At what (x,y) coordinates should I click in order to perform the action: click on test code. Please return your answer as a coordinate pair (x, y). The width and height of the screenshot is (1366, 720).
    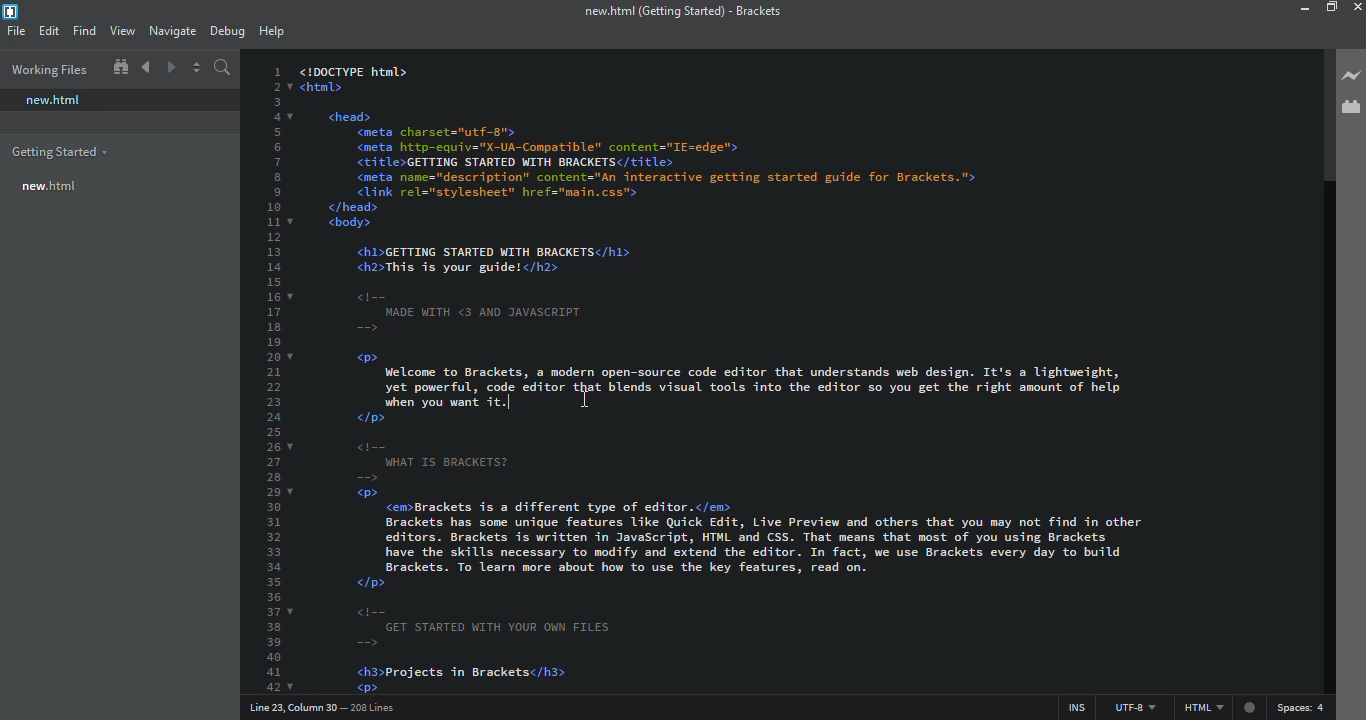
    Looking at the image, I should click on (749, 390).